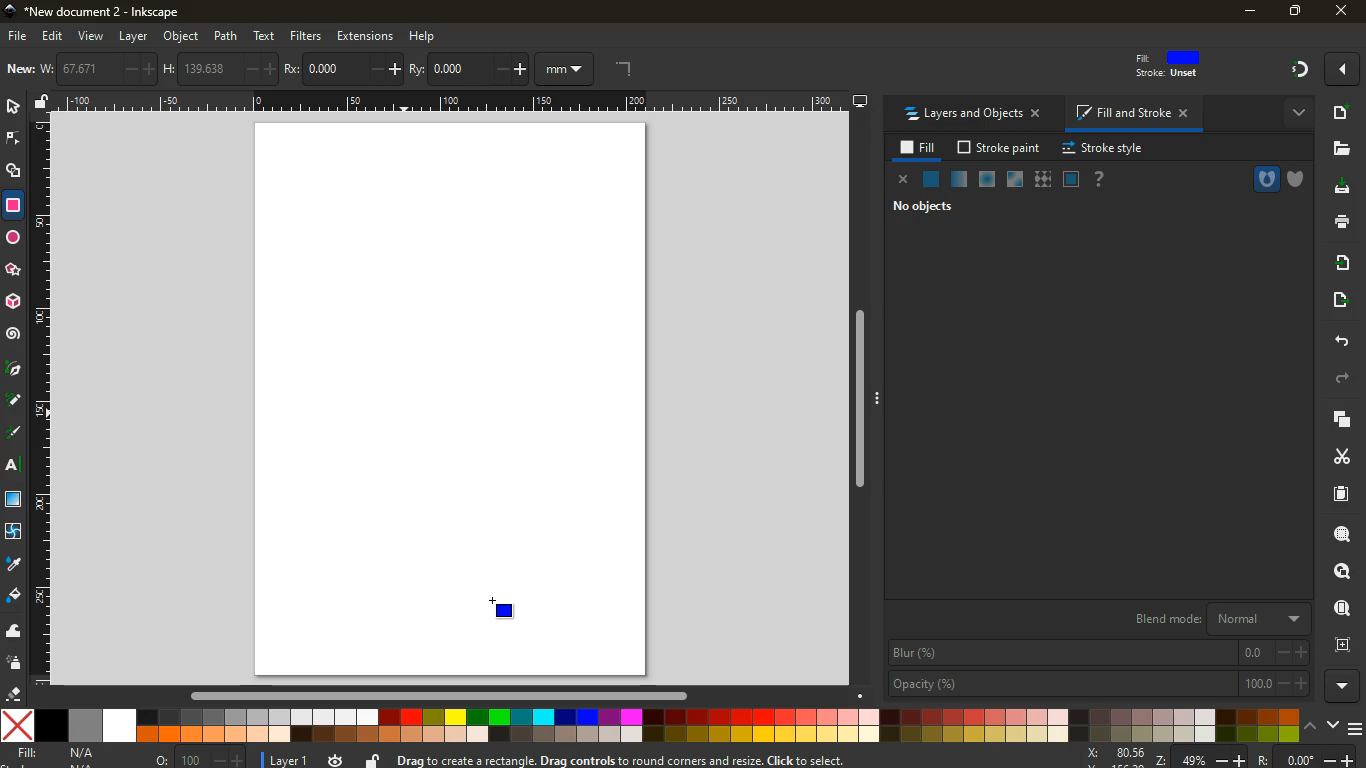 This screenshot has height=768, width=1366. I want to click on receive, so click(1339, 264).